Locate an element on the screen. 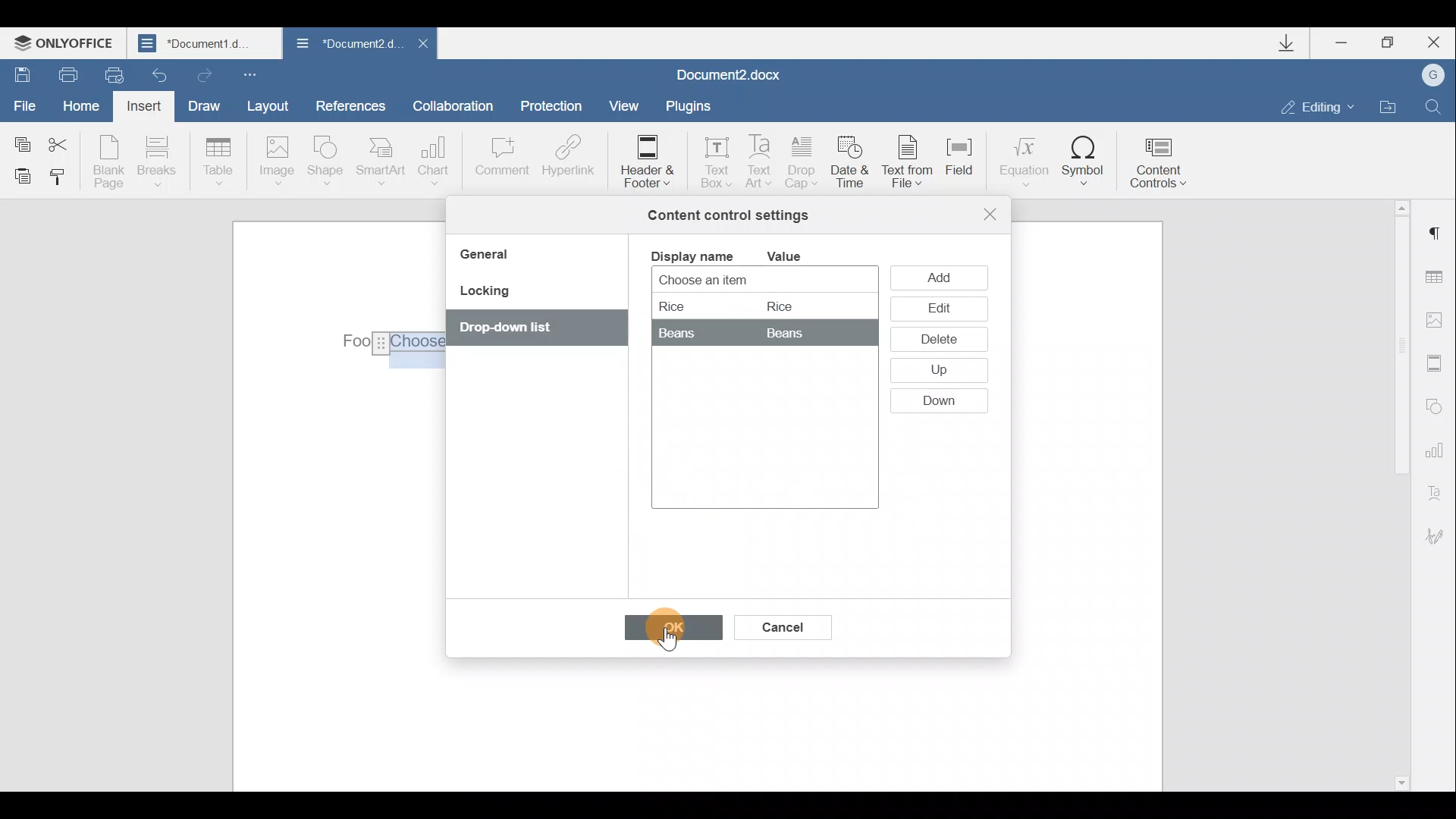 This screenshot has height=819, width=1456. Header & footer is located at coordinates (646, 160).